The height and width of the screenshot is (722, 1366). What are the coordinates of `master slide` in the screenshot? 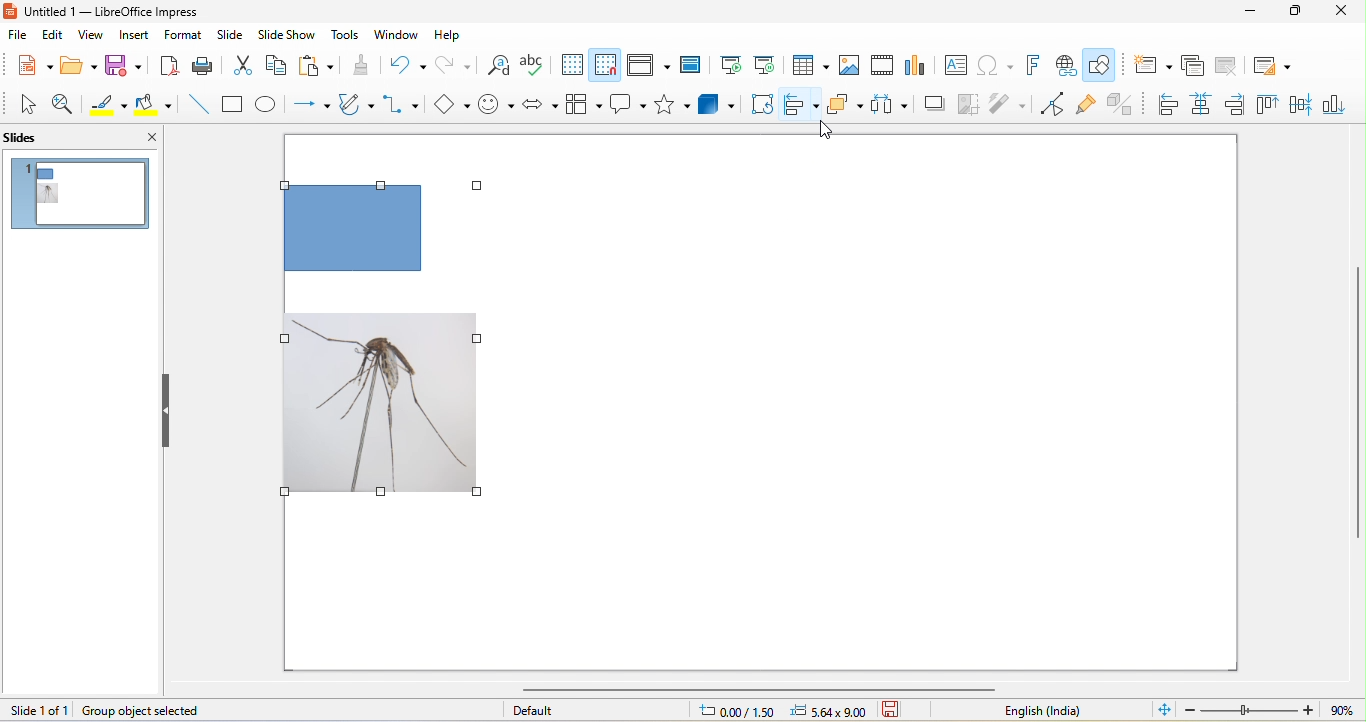 It's located at (694, 64).